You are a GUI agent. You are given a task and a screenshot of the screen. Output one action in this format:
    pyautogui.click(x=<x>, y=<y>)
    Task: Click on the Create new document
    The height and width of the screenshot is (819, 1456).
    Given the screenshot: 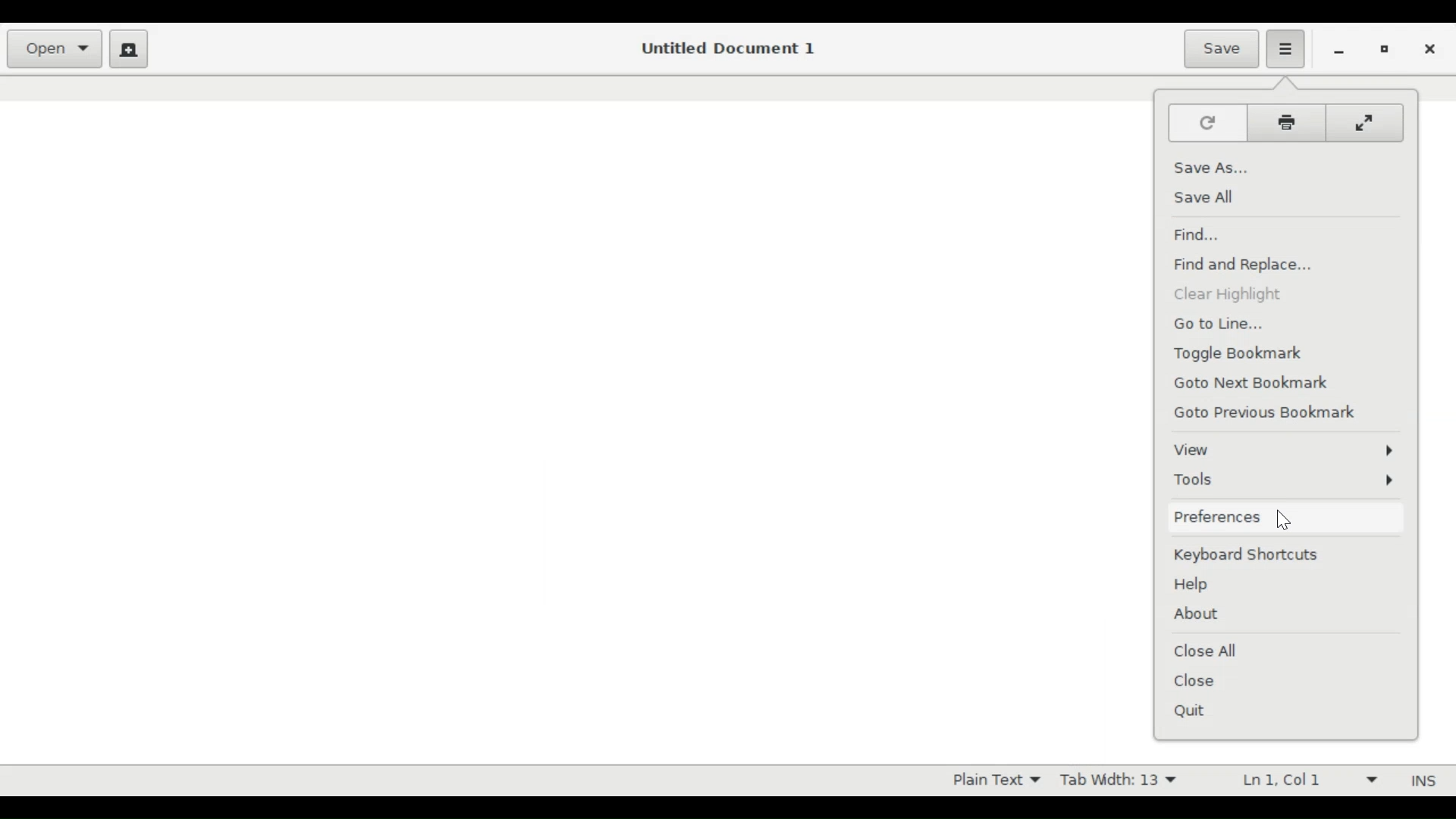 What is the action you would take?
    pyautogui.click(x=129, y=49)
    